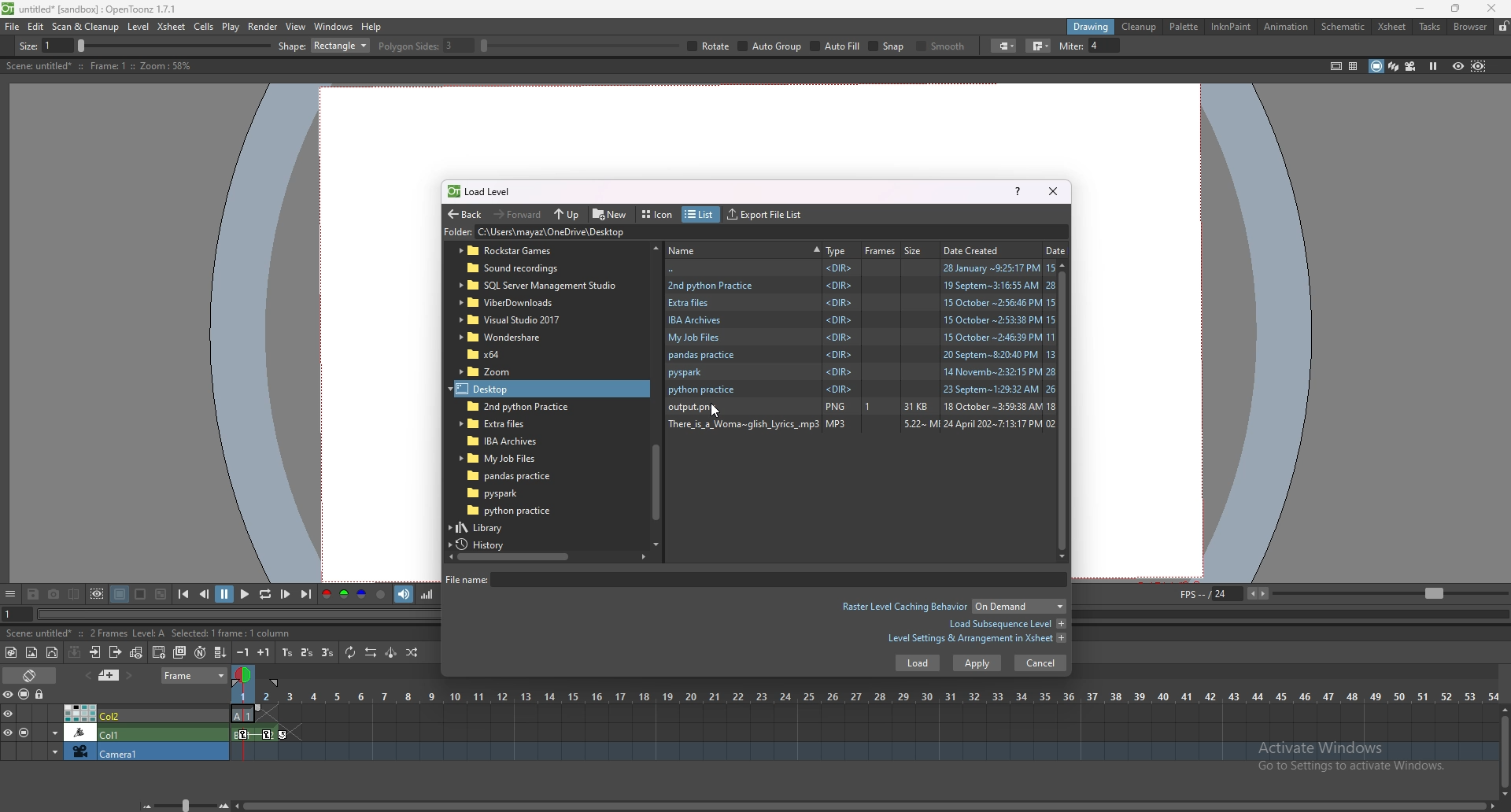  Describe the element at coordinates (1184, 26) in the screenshot. I see `palette` at that location.